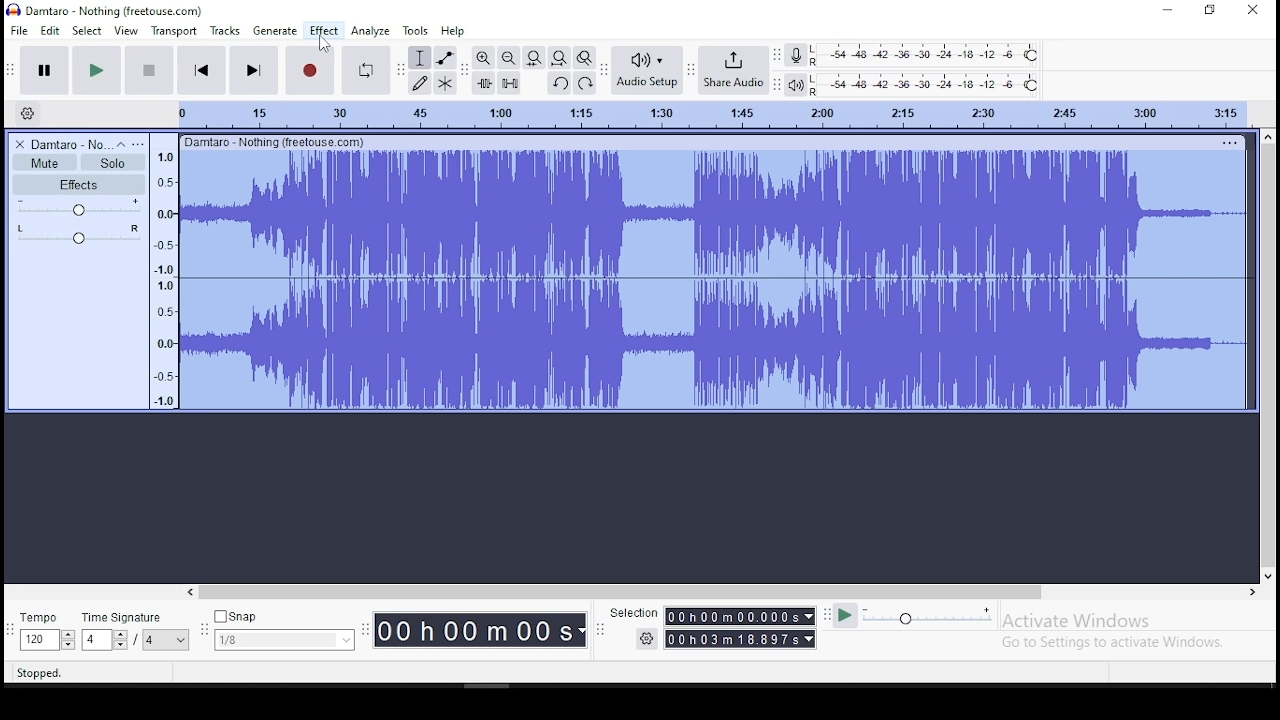 The width and height of the screenshot is (1280, 720). Describe the element at coordinates (741, 638) in the screenshot. I see `00 h 00 m 00.000 s` at that location.